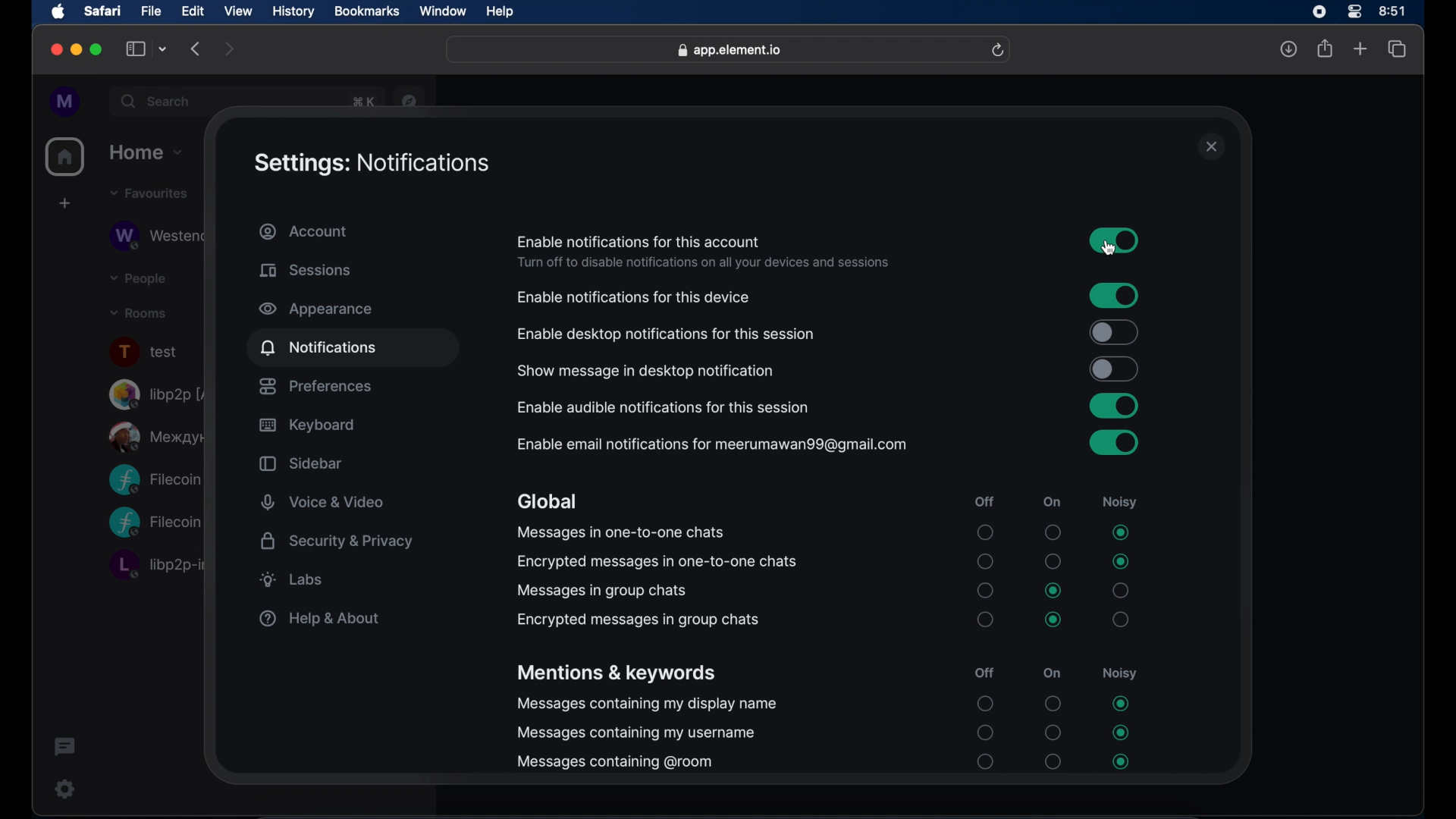  Describe the element at coordinates (321, 502) in the screenshot. I see `voice and video` at that location.